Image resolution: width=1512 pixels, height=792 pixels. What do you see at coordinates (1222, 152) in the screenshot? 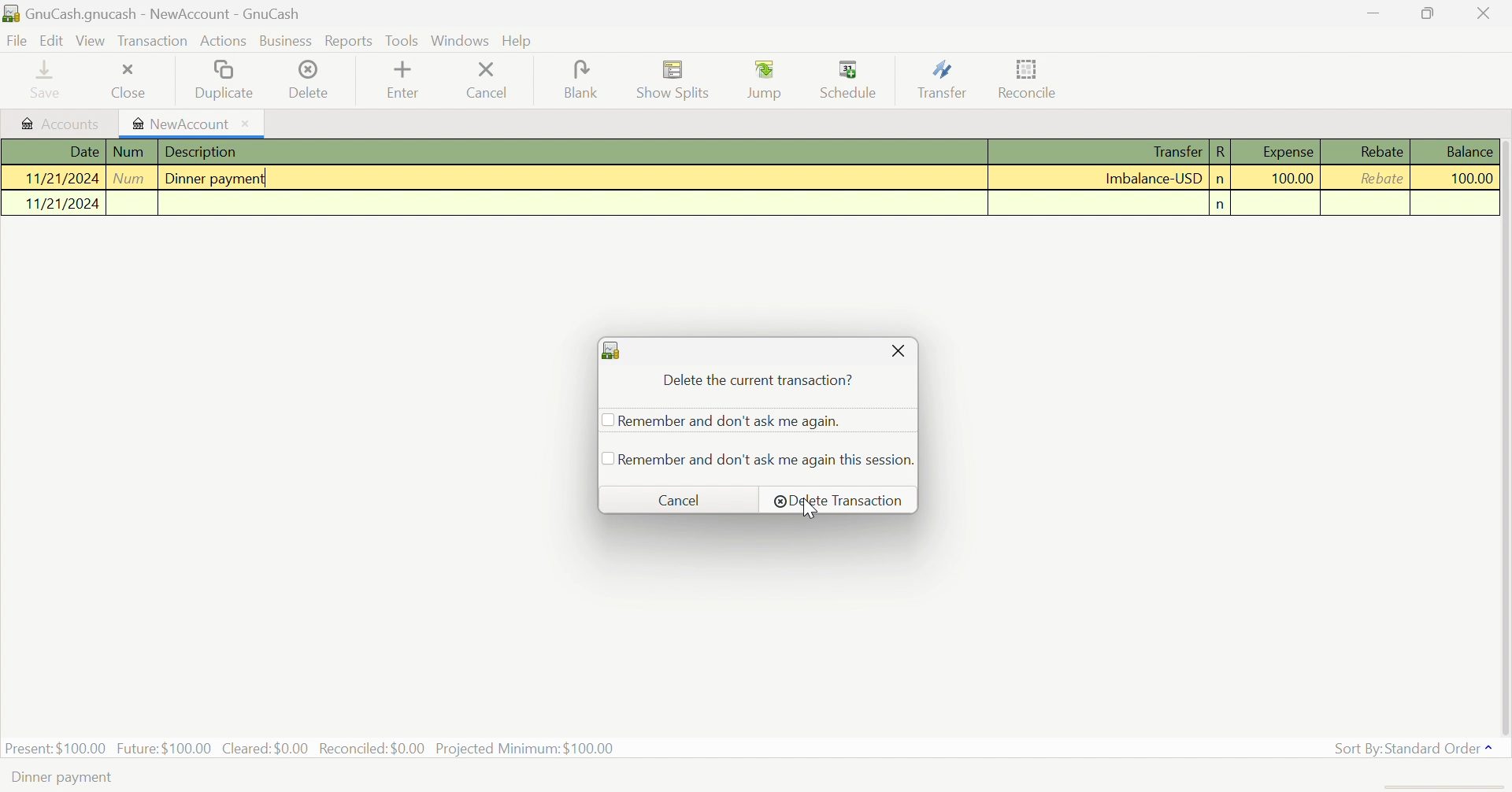
I see `R` at bounding box center [1222, 152].